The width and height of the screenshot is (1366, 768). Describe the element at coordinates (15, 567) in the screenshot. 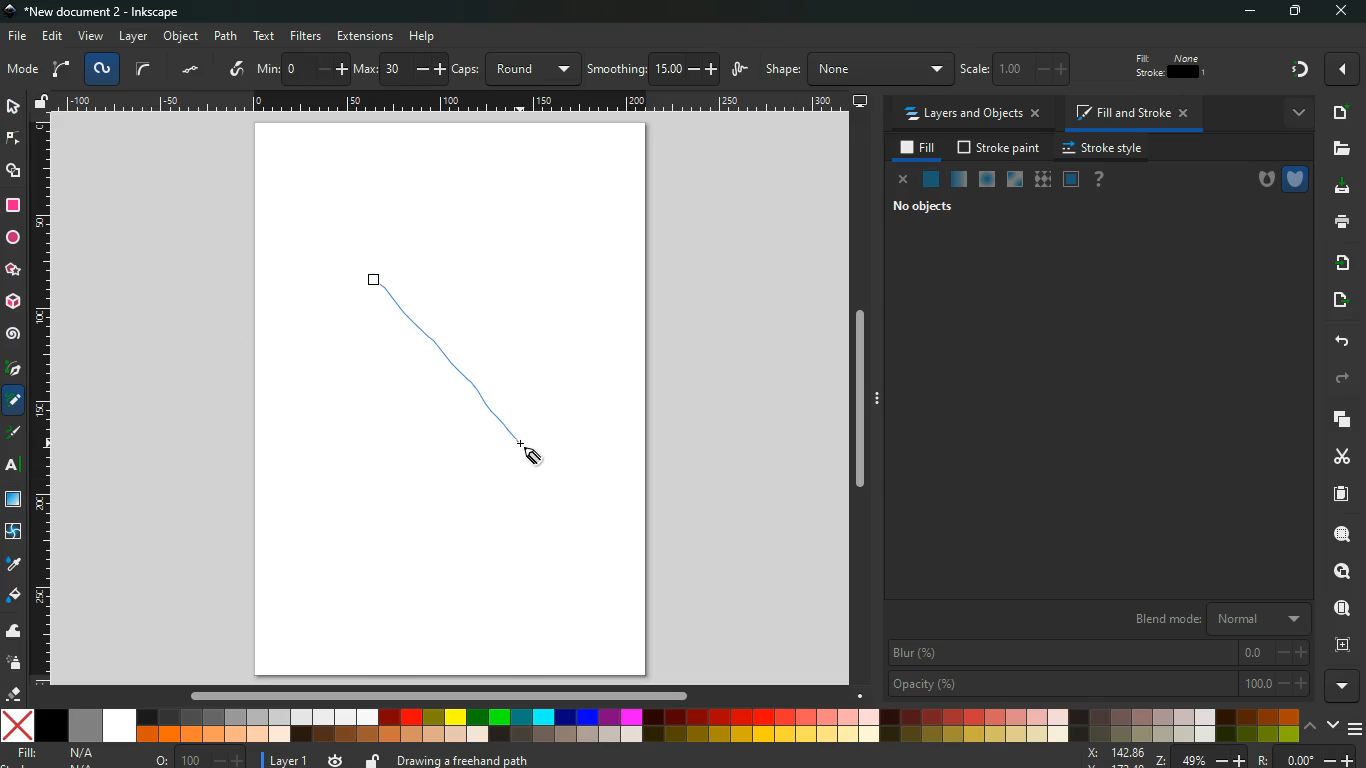

I see `drop` at that location.